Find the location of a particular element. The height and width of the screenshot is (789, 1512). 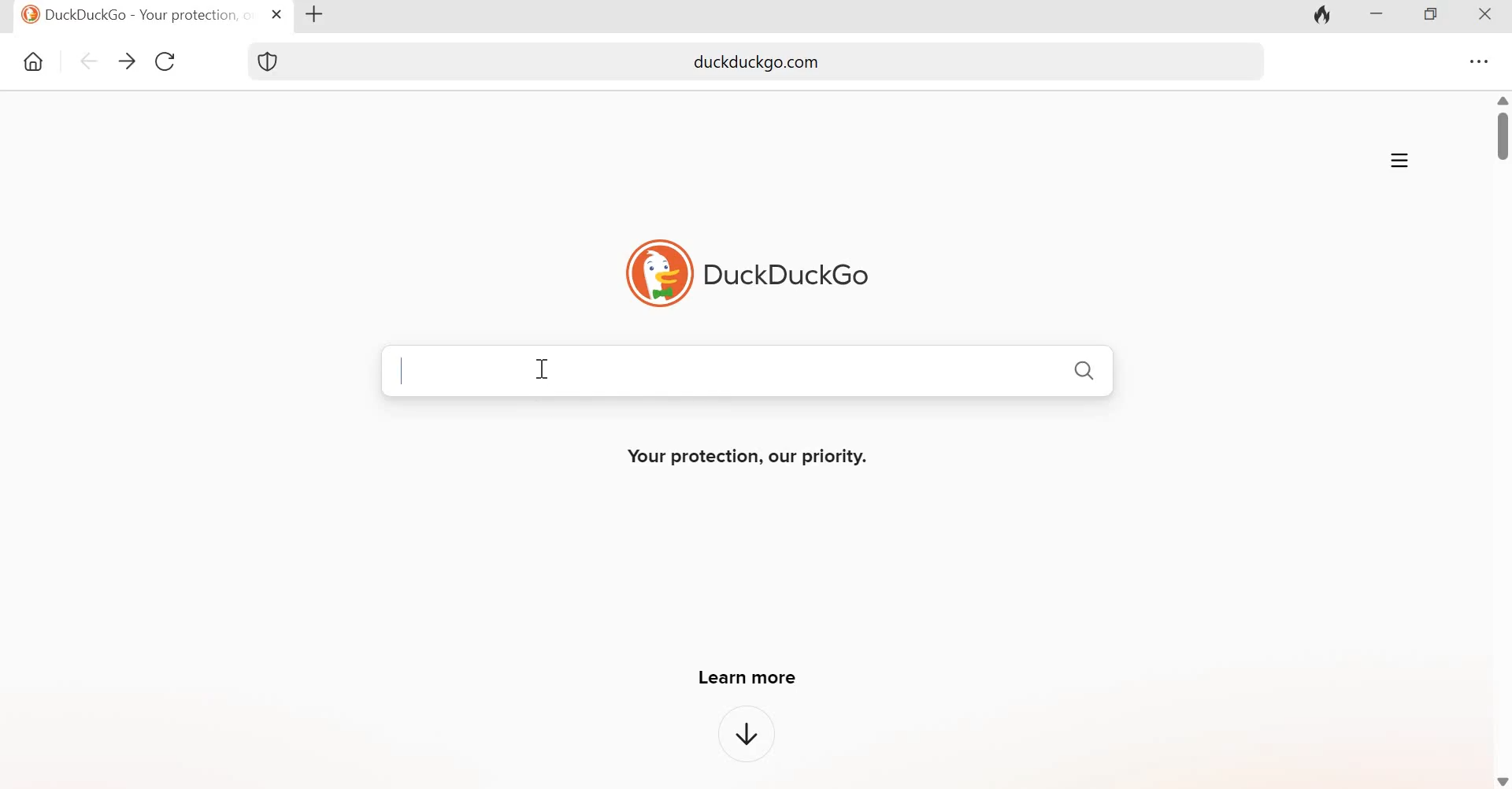

DuckDuckGo is located at coordinates (787, 275).